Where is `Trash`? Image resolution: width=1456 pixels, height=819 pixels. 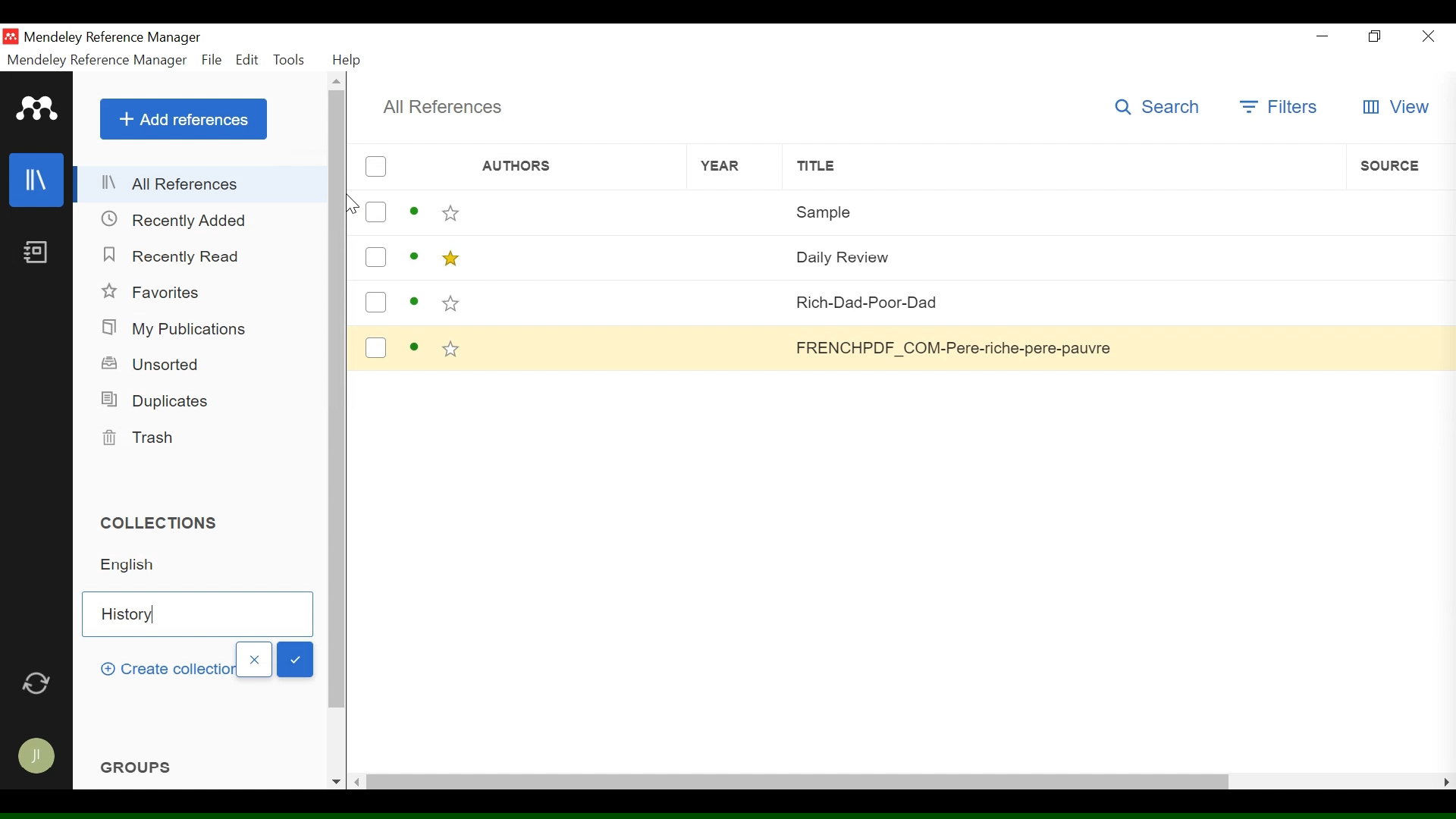
Trash is located at coordinates (143, 441).